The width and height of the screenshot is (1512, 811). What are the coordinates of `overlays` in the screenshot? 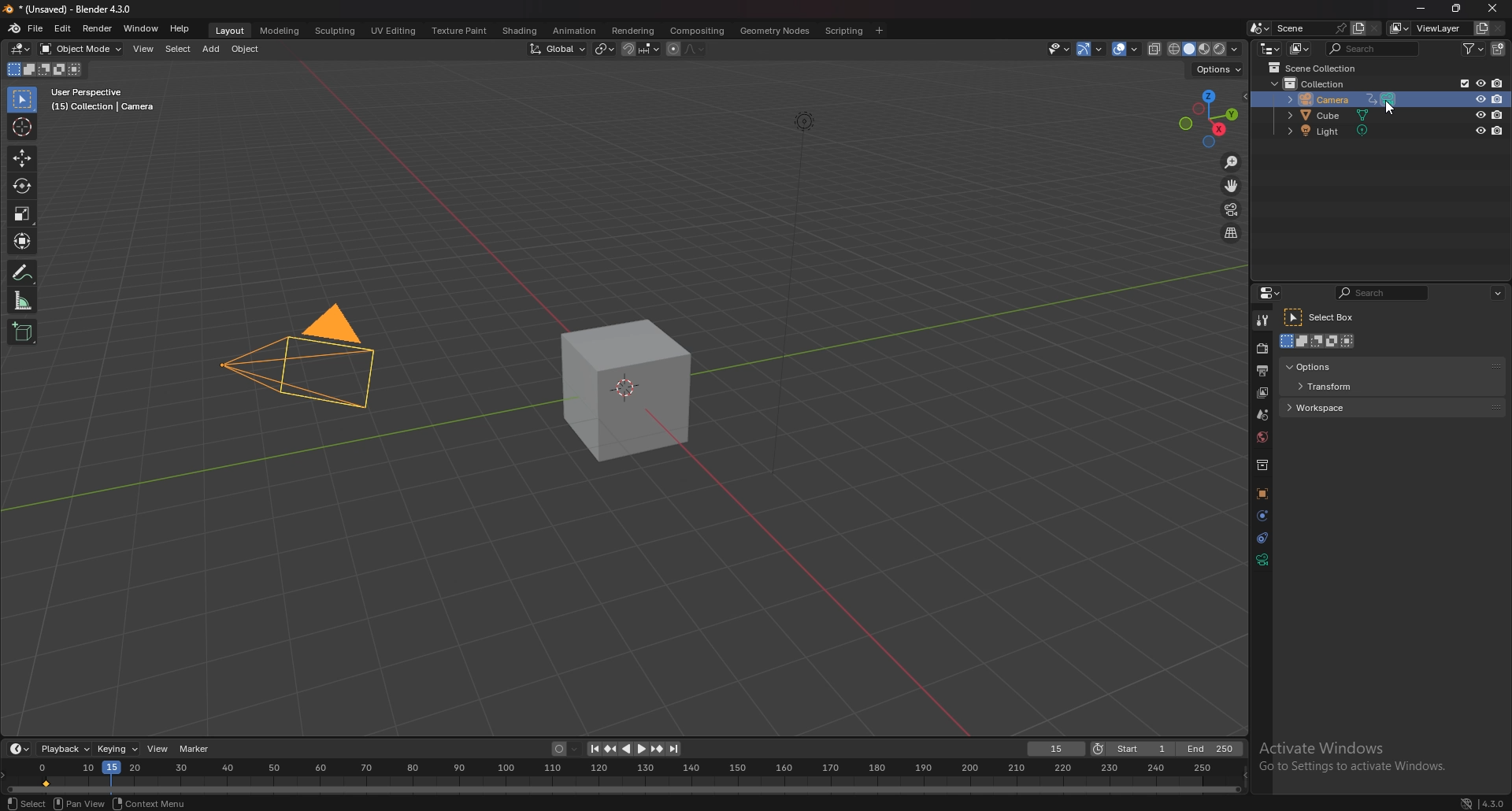 It's located at (1127, 50).